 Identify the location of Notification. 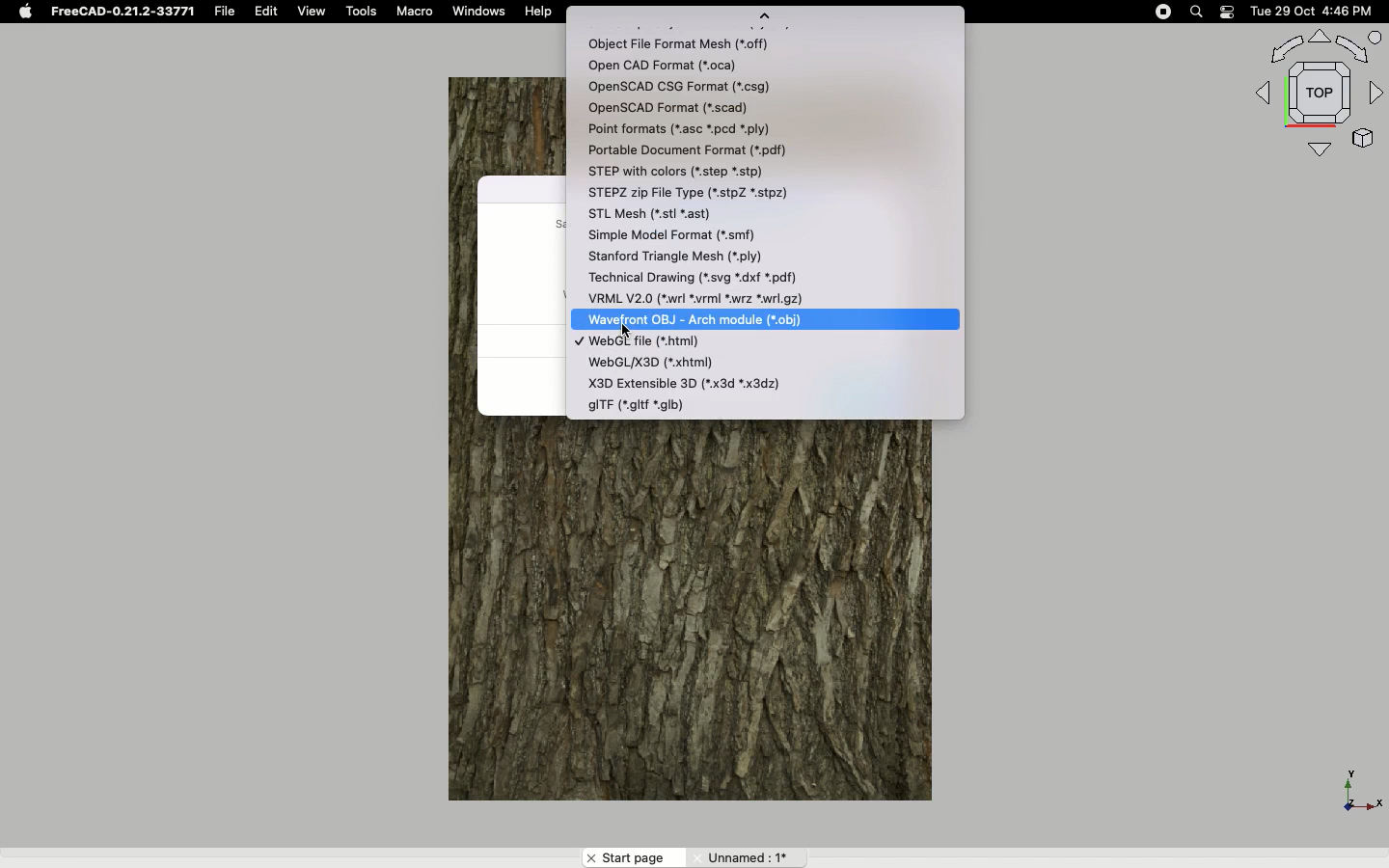
(1223, 12).